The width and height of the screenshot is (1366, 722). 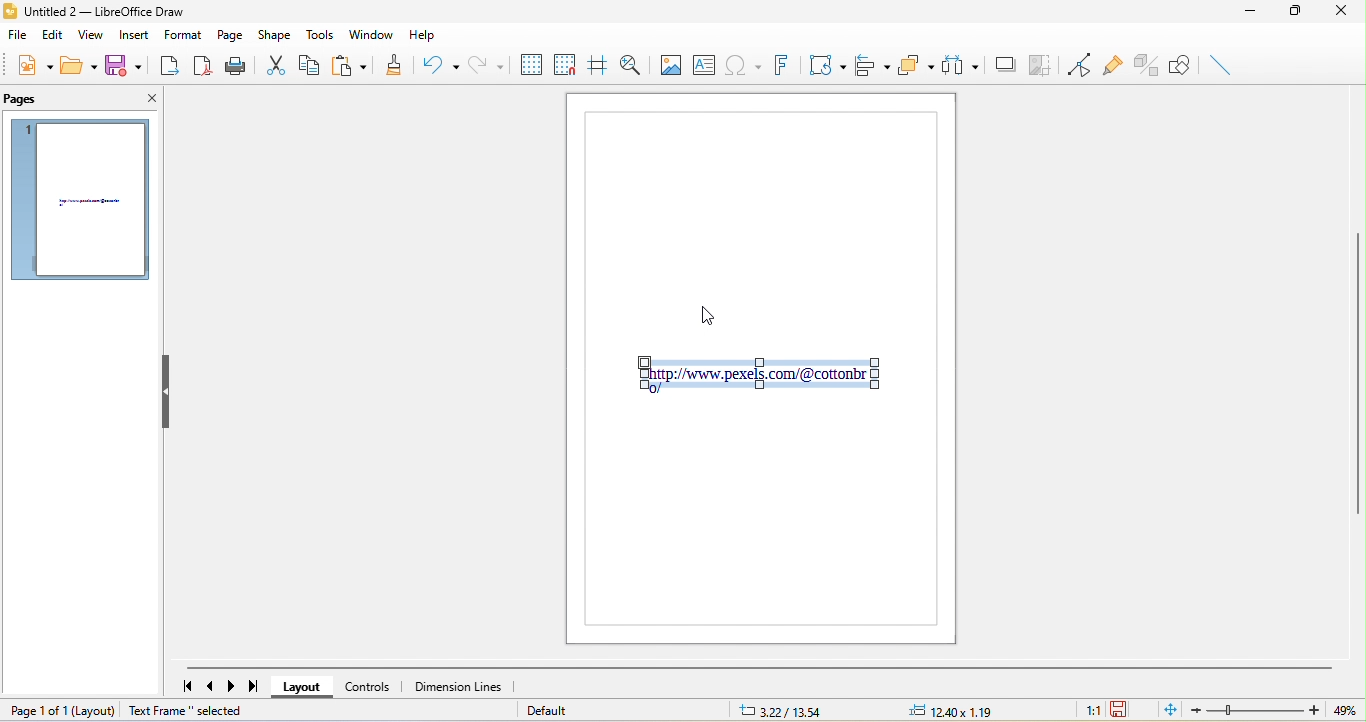 What do you see at coordinates (28, 69) in the screenshot?
I see `new` at bounding box center [28, 69].